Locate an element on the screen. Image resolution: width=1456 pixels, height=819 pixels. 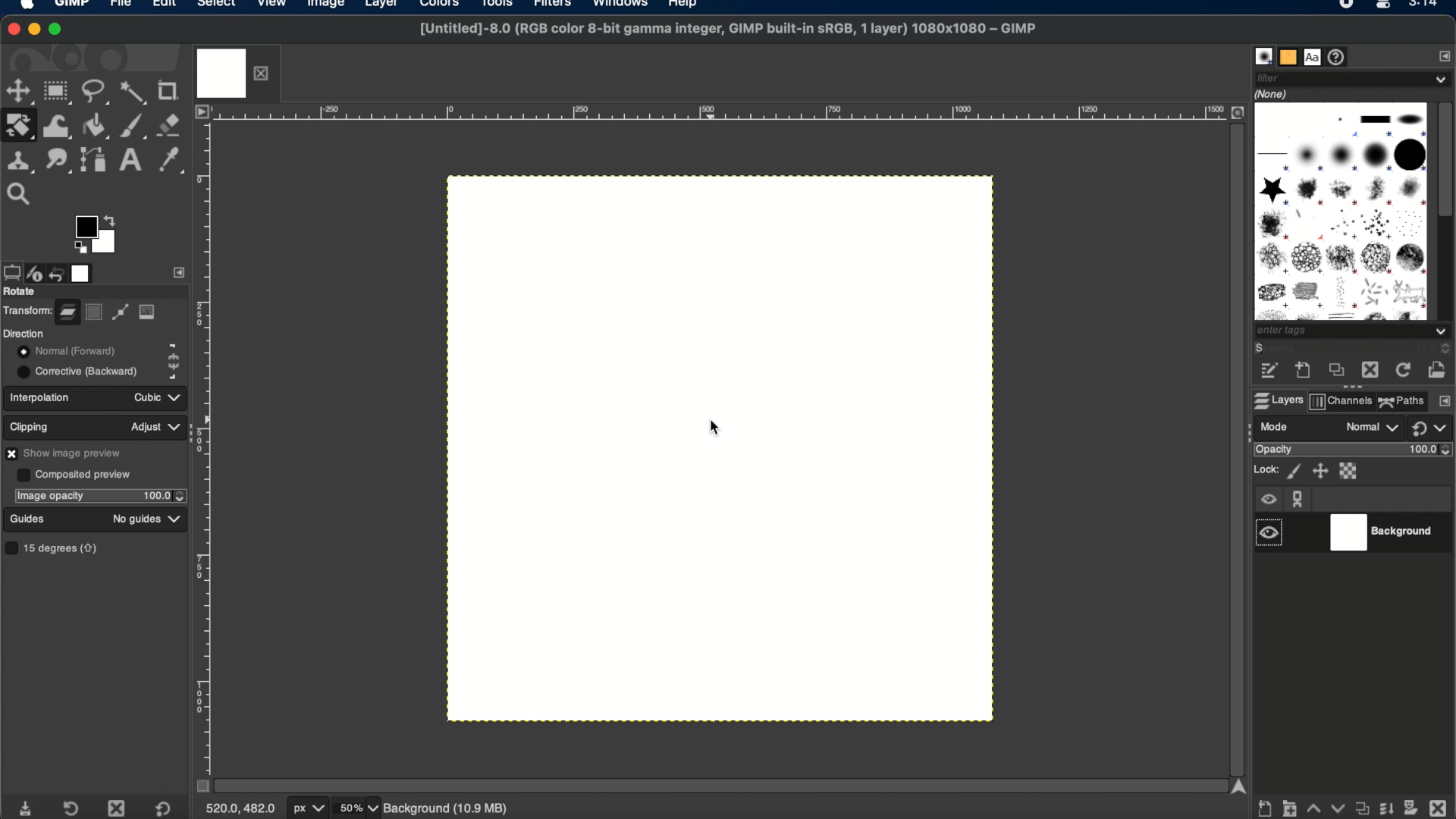
none is located at coordinates (1274, 93).